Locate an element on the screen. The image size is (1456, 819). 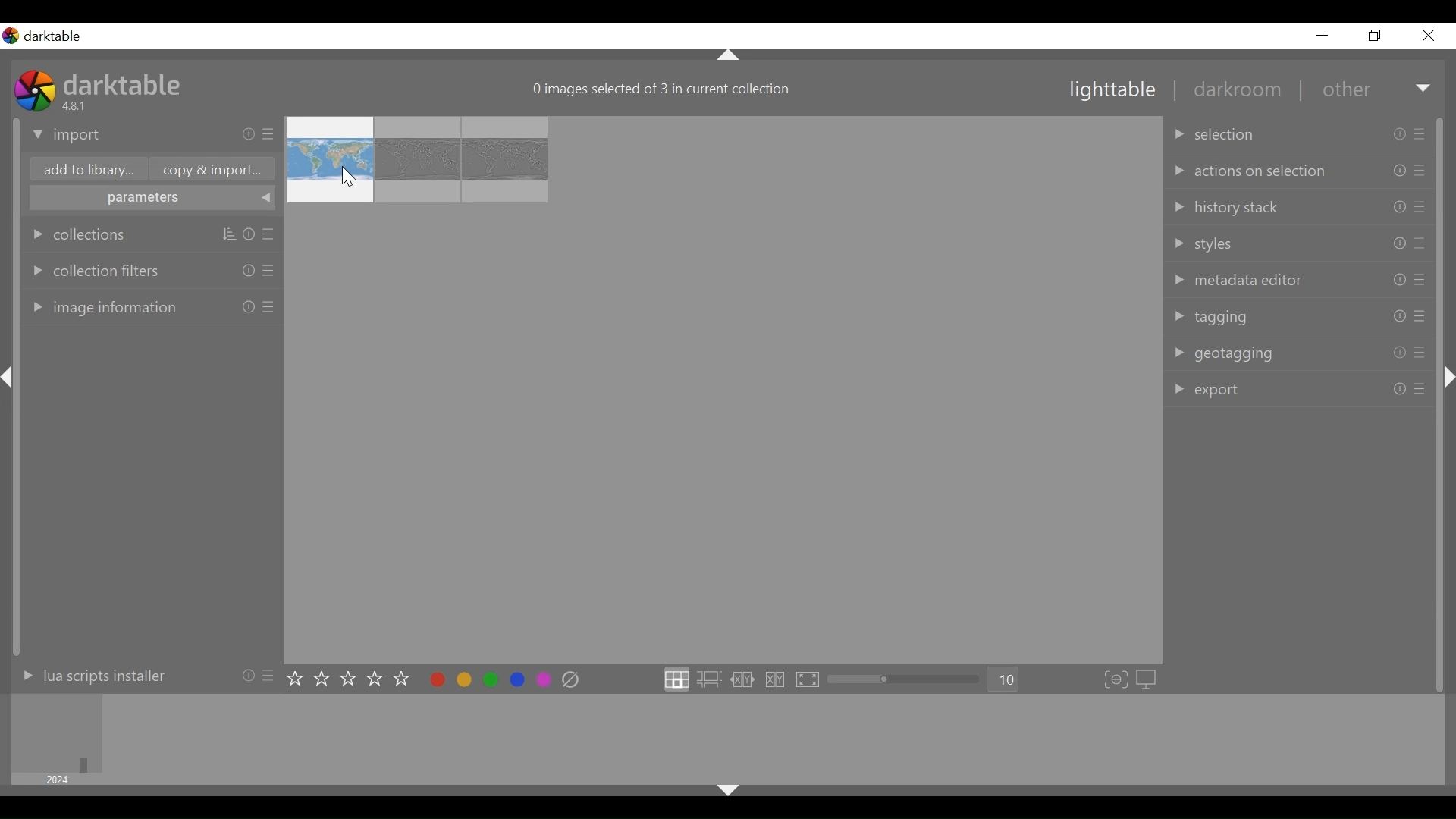
collection filters is located at coordinates (149, 266).